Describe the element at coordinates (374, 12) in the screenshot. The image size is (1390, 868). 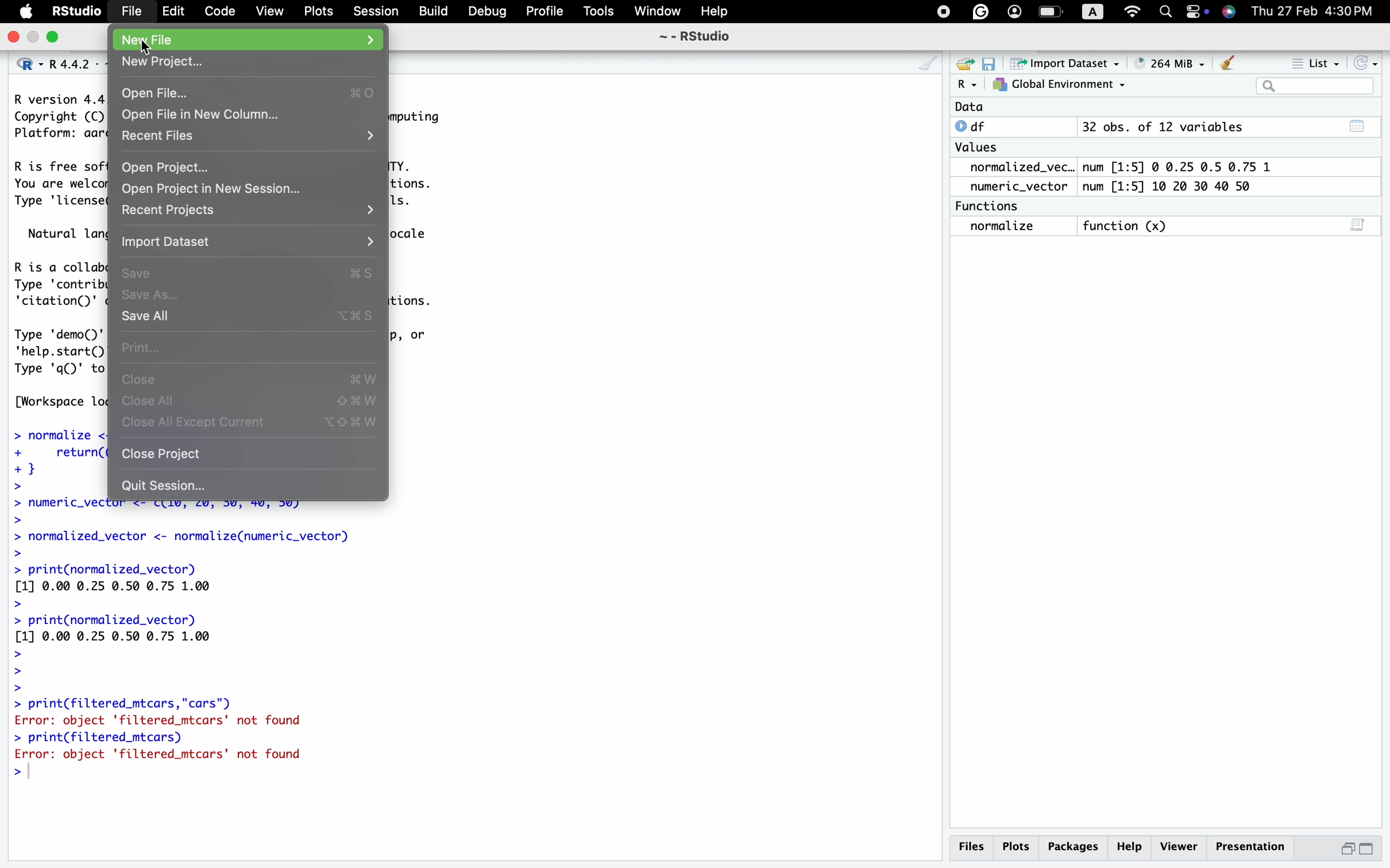
I see `session` at that location.